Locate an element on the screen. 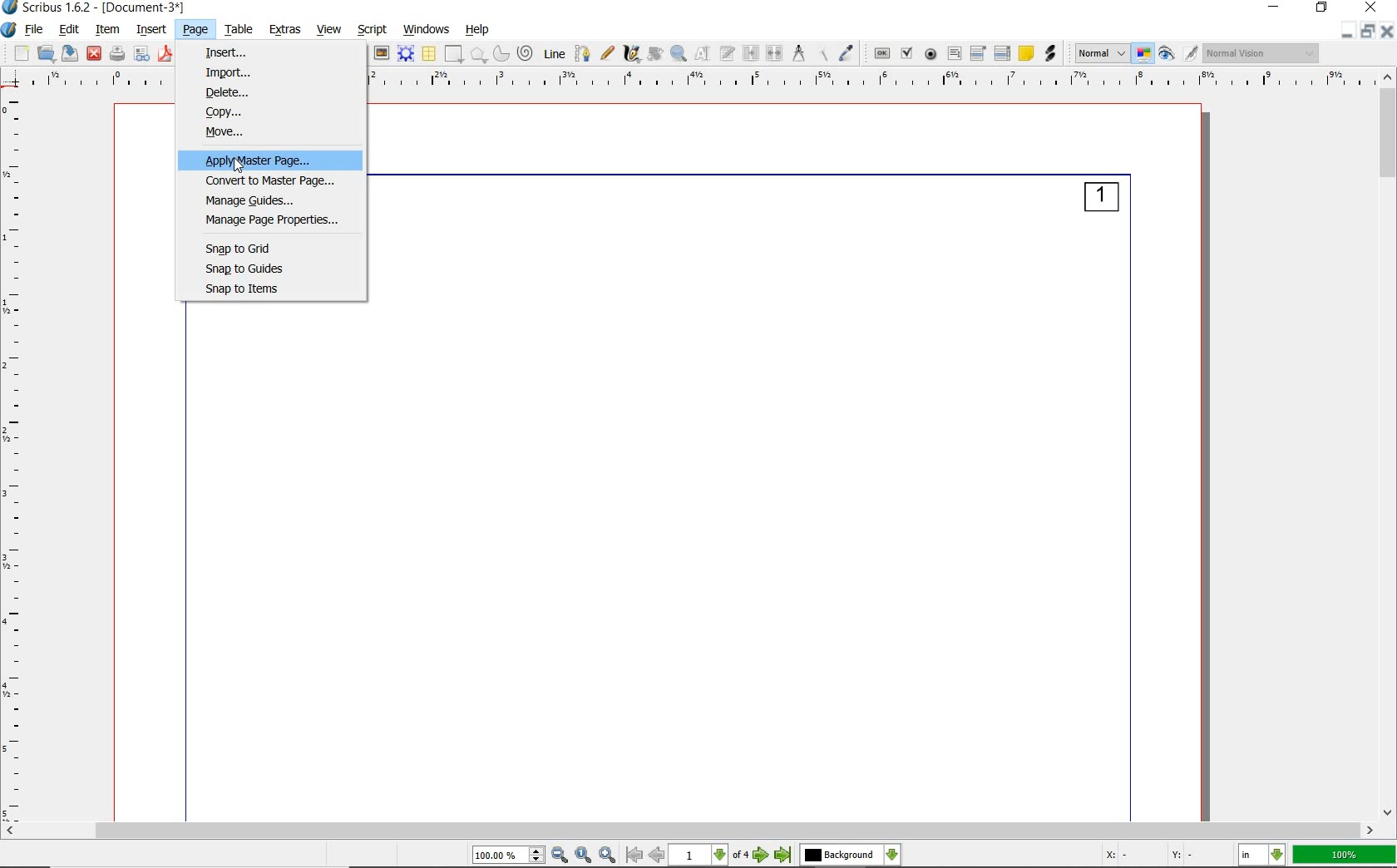  edit text with story editor is located at coordinates (727, 53).